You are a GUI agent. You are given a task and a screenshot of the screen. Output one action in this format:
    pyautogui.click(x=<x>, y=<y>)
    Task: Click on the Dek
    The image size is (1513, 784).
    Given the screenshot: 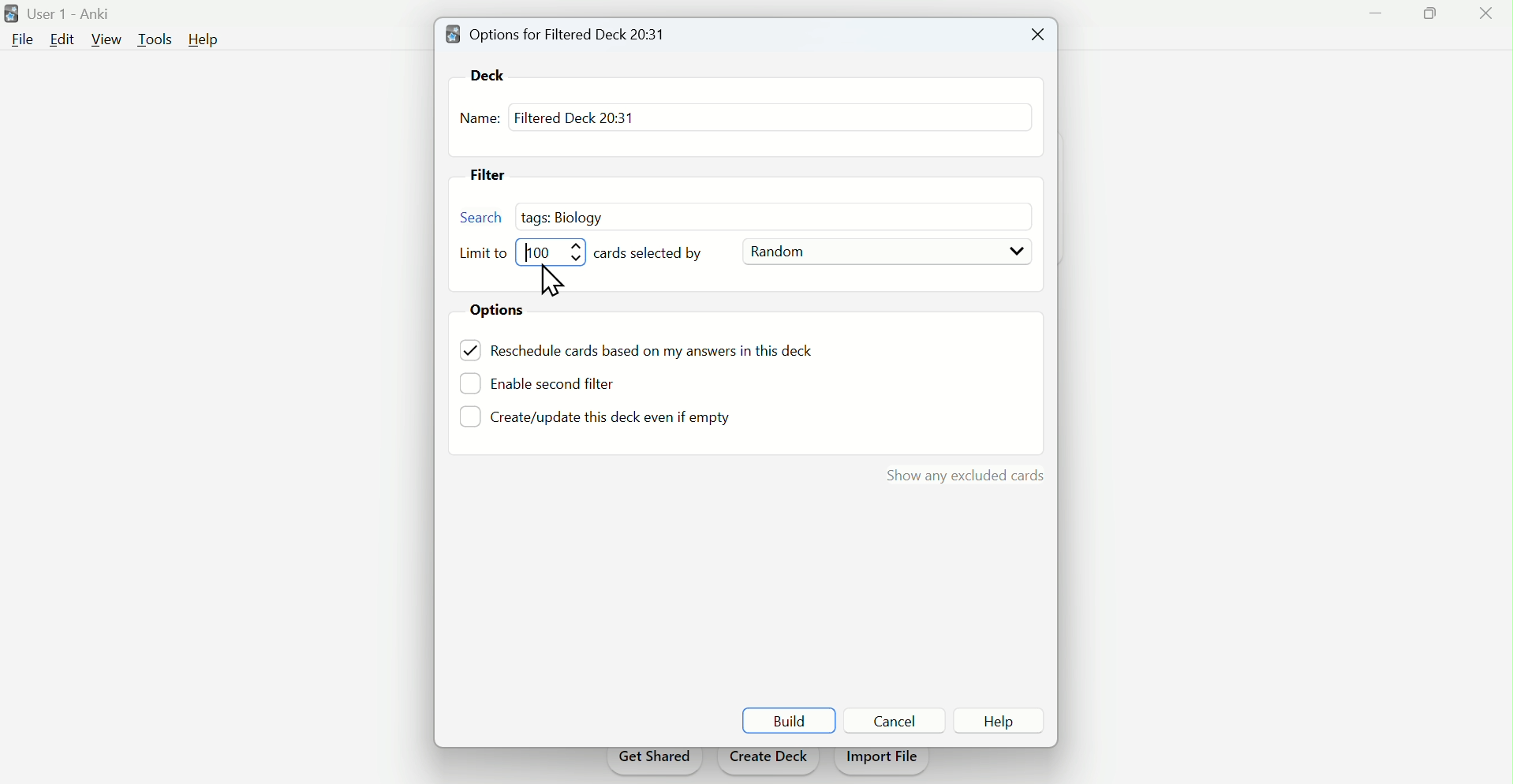 What is the action you would take?
    pyautogui.click(x=494, y=74)
    